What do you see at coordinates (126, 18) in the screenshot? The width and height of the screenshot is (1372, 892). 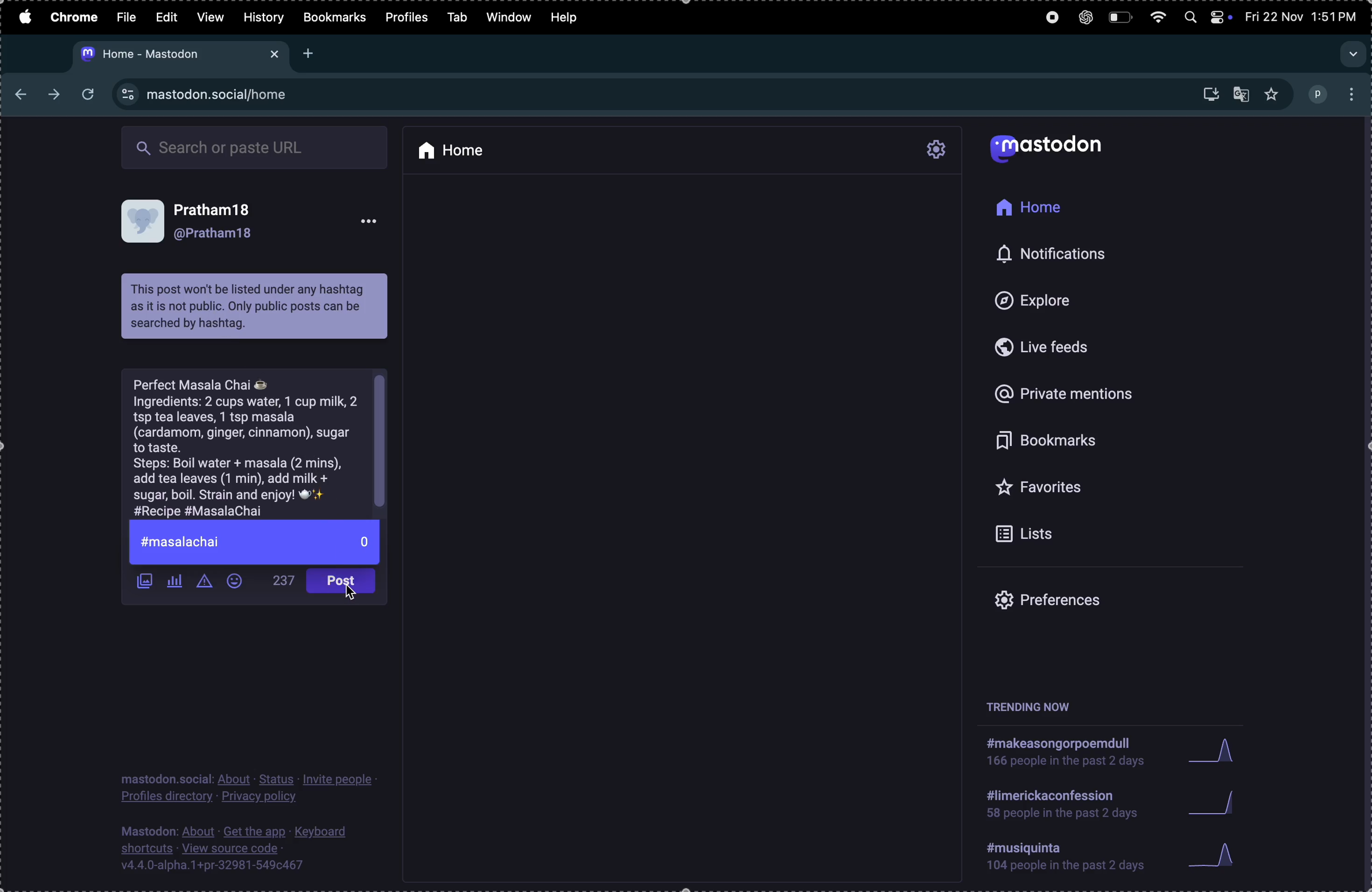 I see `file` at bounding box center [126, 18].